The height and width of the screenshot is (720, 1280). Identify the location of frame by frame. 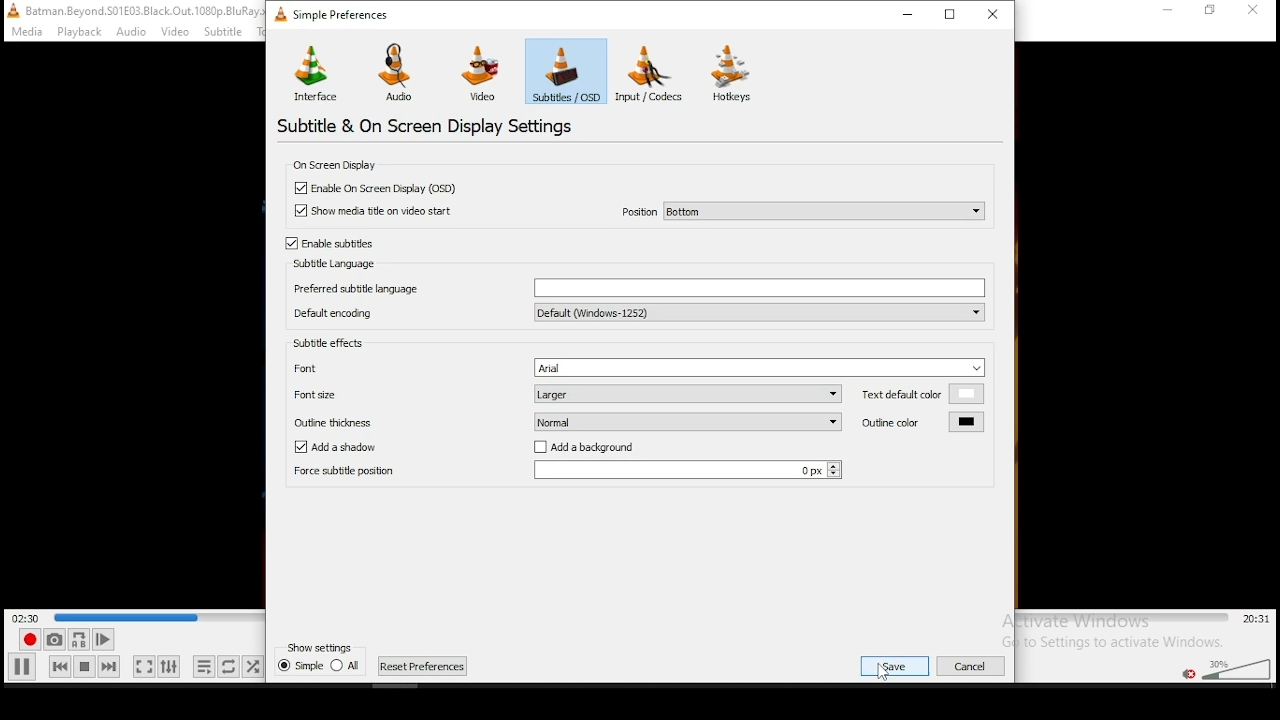
(103, 639).